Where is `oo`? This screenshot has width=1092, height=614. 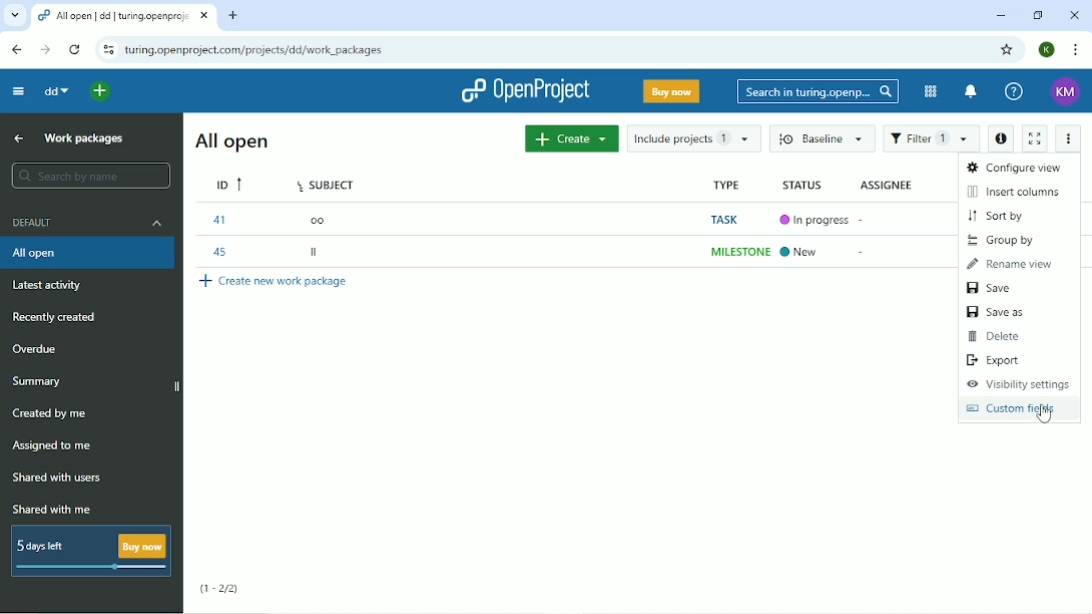
oo is located at coordinates (321, 219).